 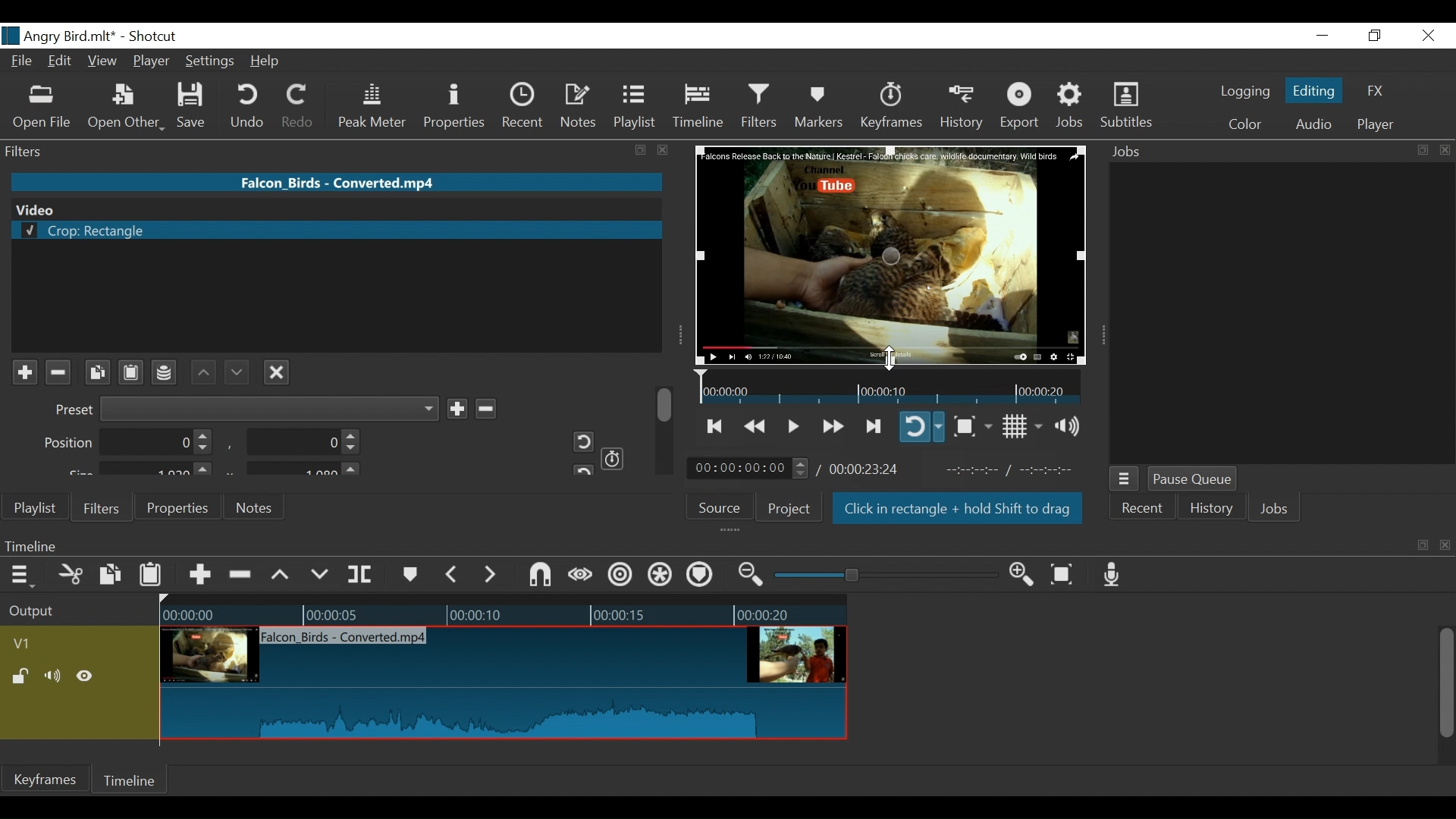 What do you see at coordinates (890, 106) in the screenshot?
I see `Keyframes` at bounding box center [890, 106].